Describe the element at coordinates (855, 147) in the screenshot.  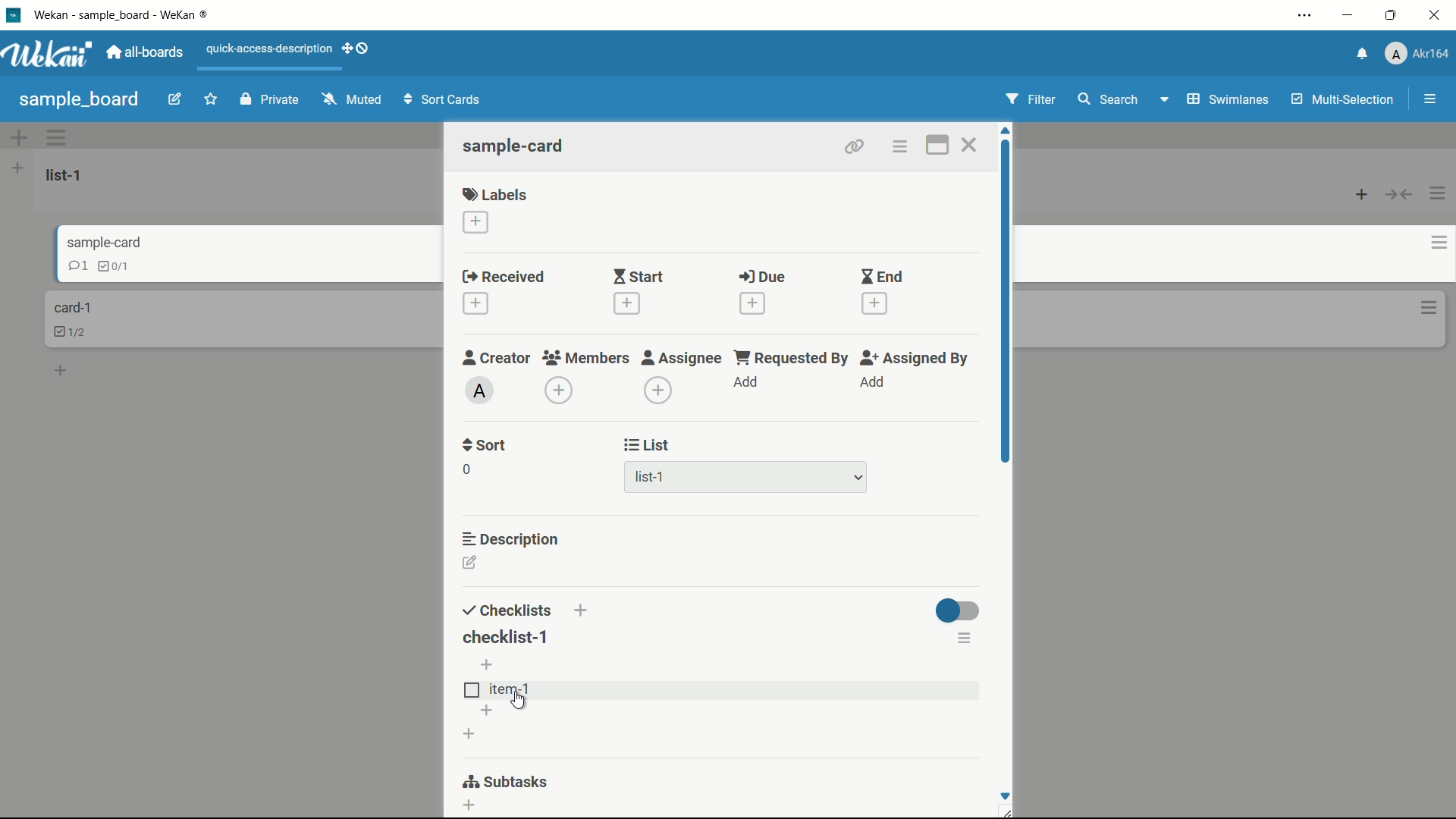
I see `copy link to clipboard` at that location.